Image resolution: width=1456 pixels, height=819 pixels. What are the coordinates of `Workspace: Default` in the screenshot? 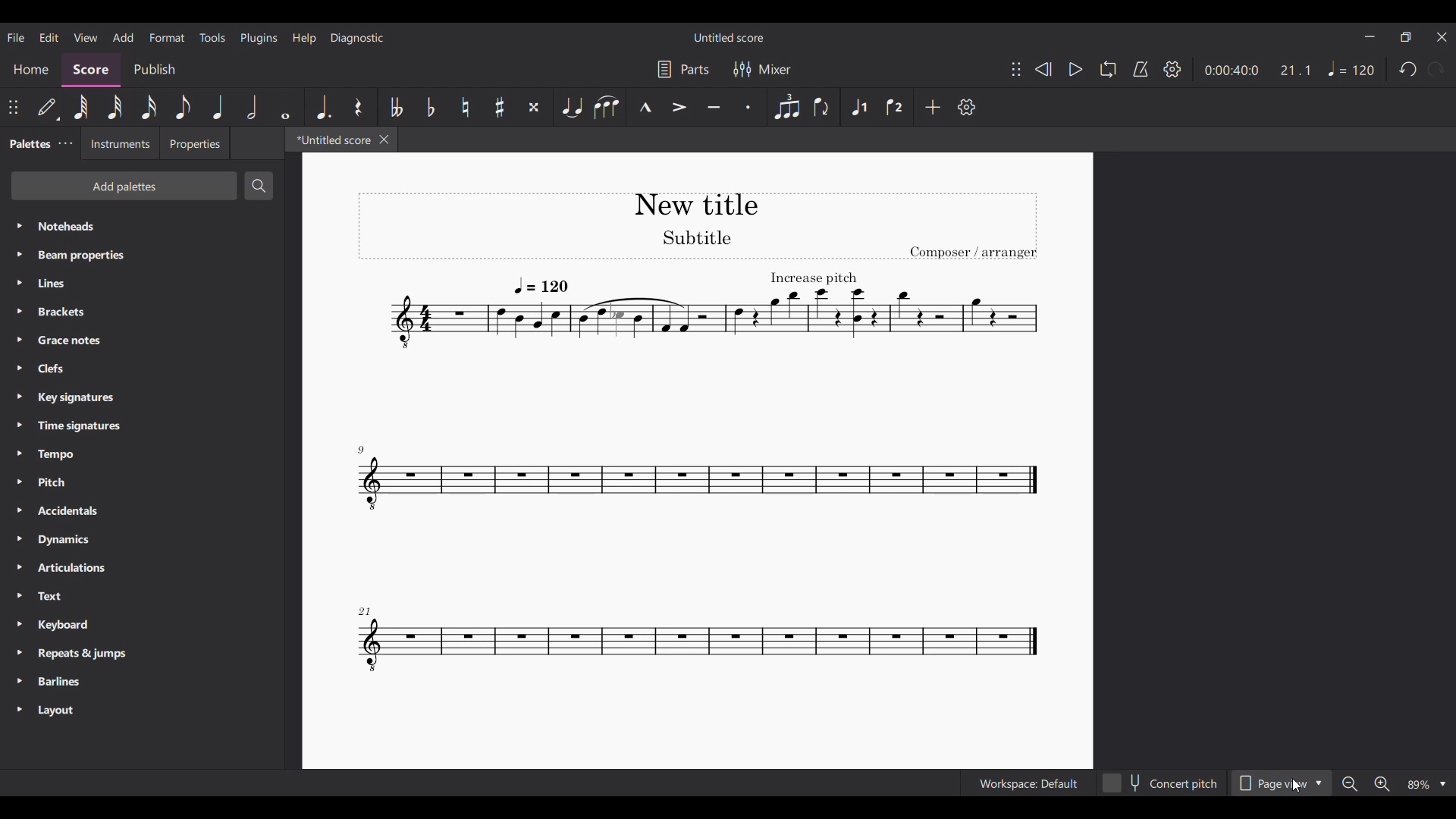 It's located at (1027, 783).